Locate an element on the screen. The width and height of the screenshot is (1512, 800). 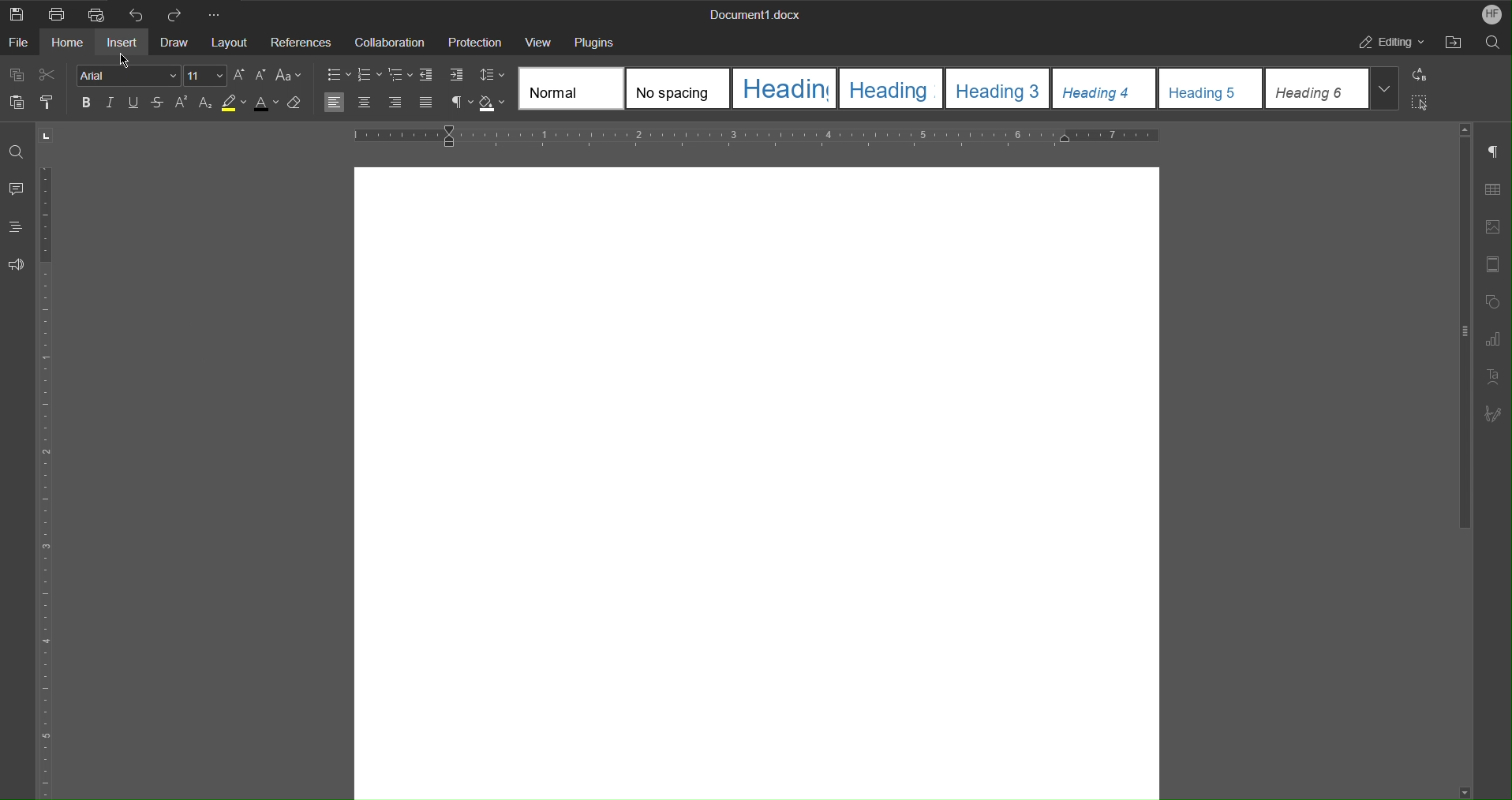
Non-Printing Characters is located at coordinates (1491, 151).